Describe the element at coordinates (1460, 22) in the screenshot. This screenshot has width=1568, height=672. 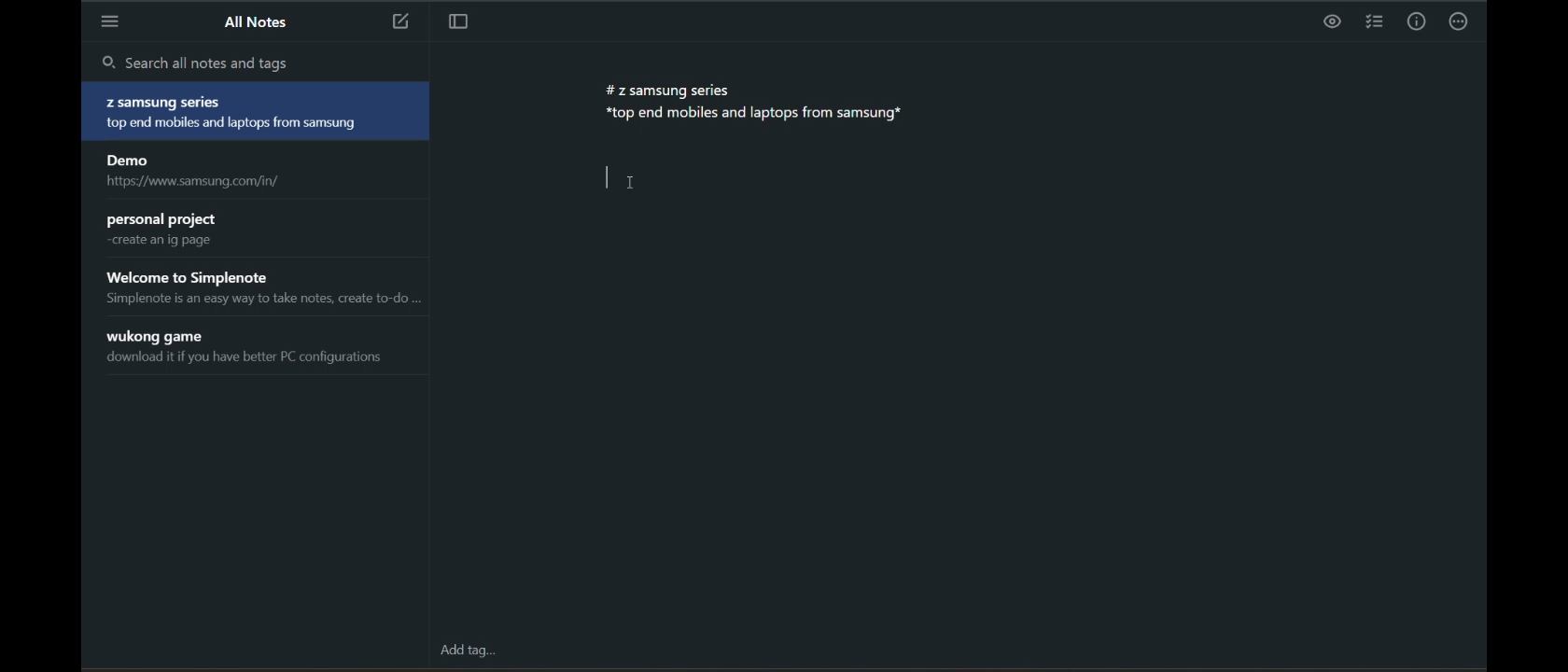
I see `actions` at that location.